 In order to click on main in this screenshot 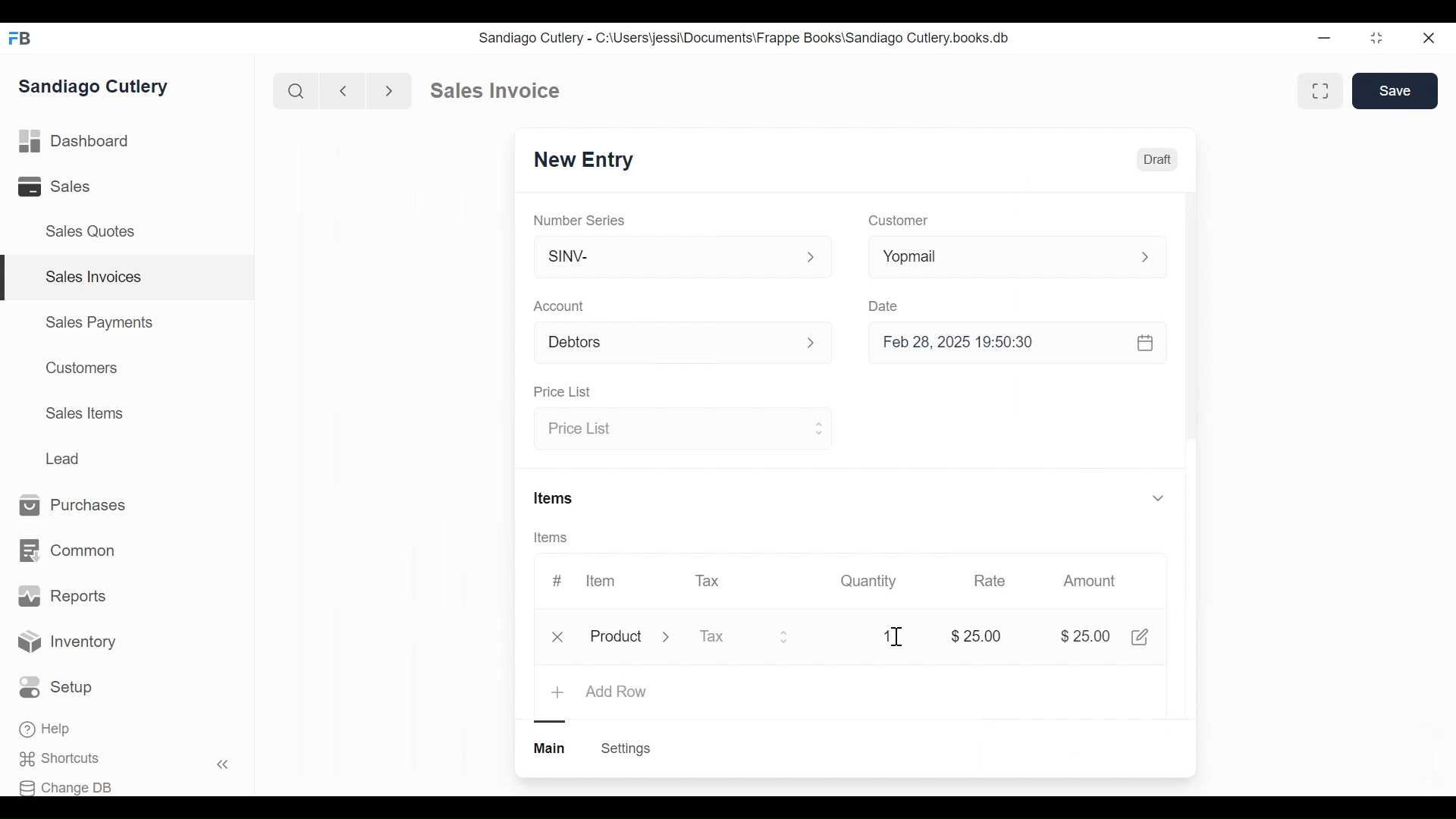, I will do `click(551, 748)`.